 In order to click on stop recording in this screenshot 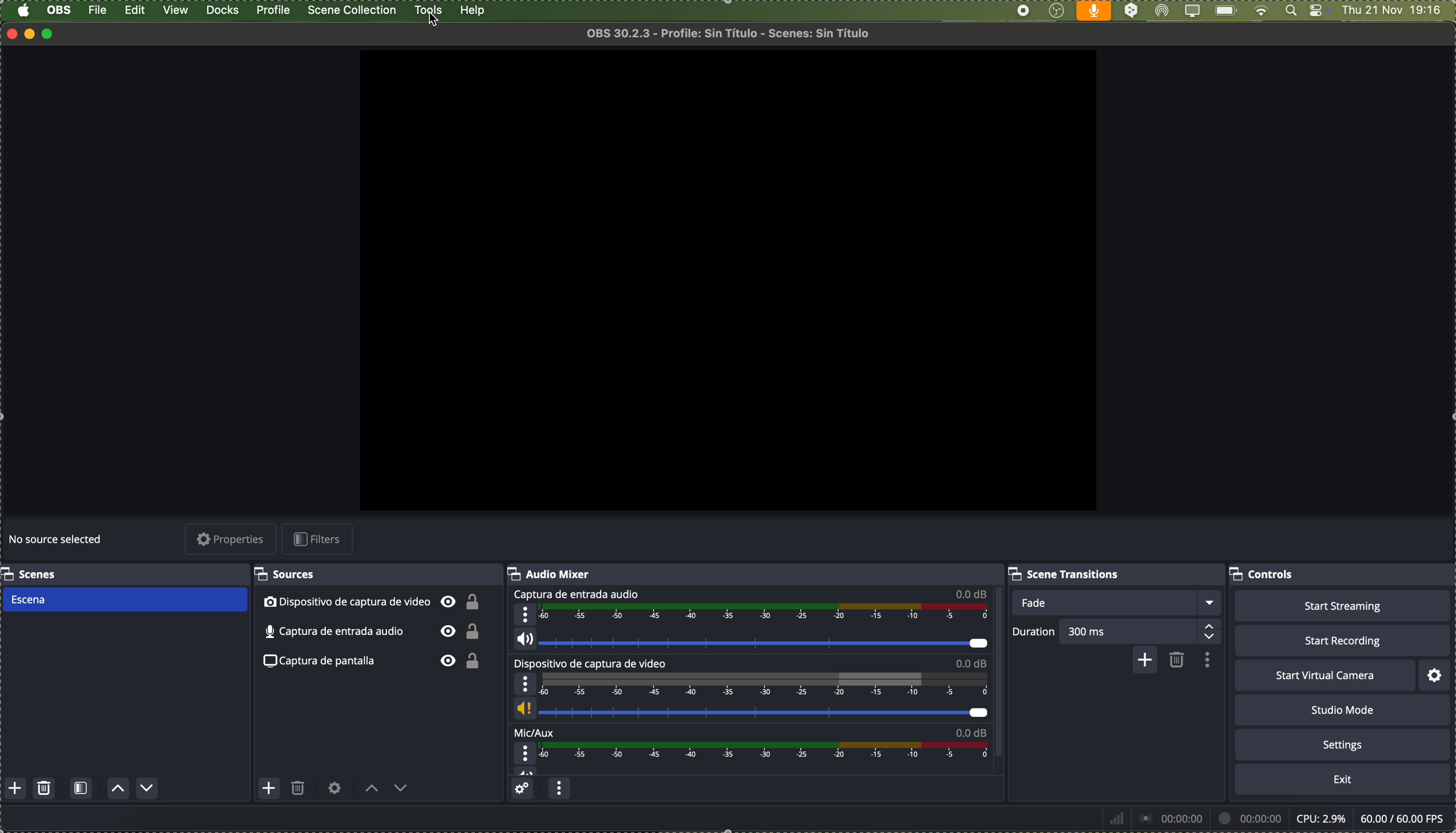, I will do `click(1023, 11)`.